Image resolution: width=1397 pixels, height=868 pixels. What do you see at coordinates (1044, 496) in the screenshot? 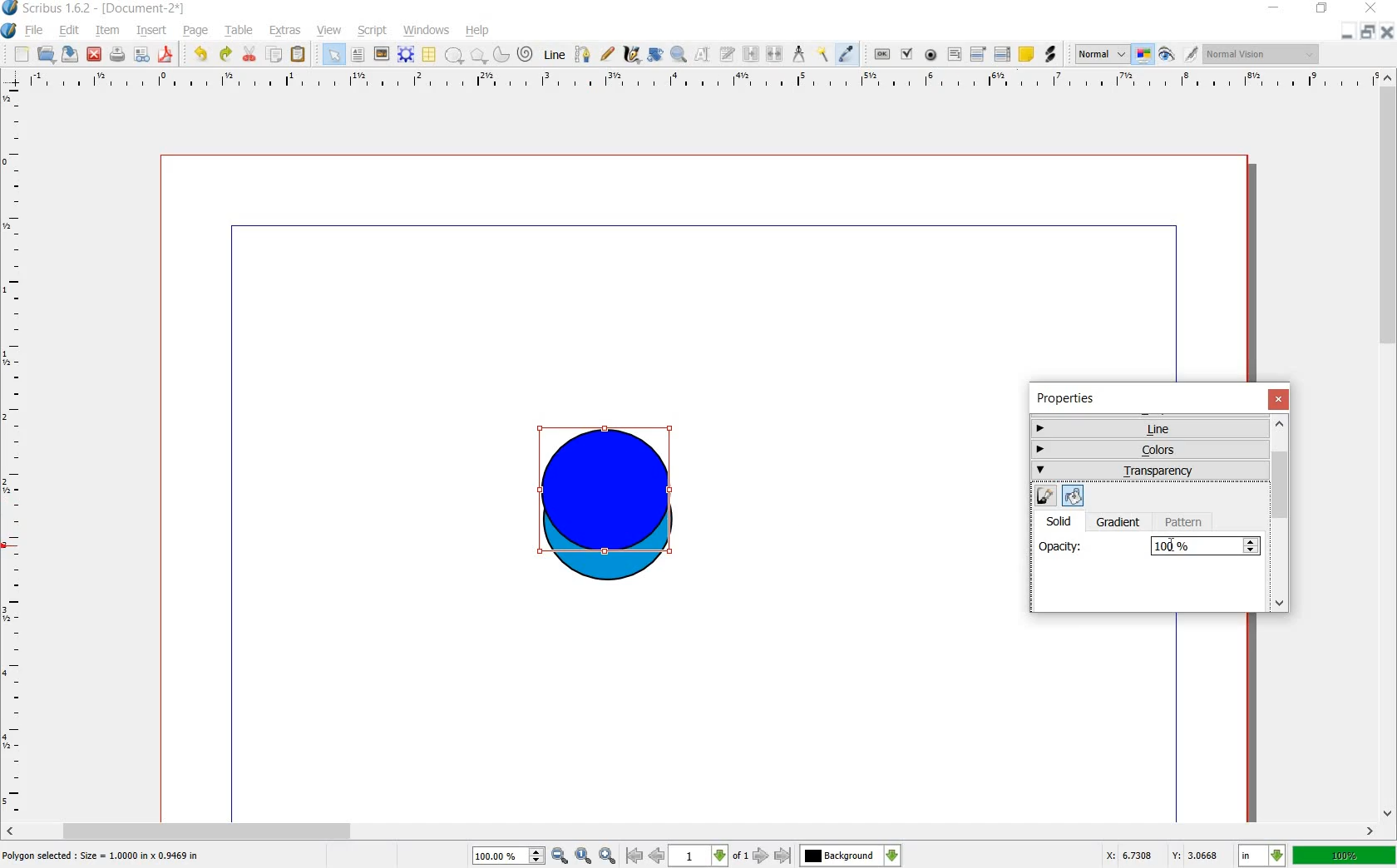
I see `edit line color properties` at bounding box center [1044, 496].